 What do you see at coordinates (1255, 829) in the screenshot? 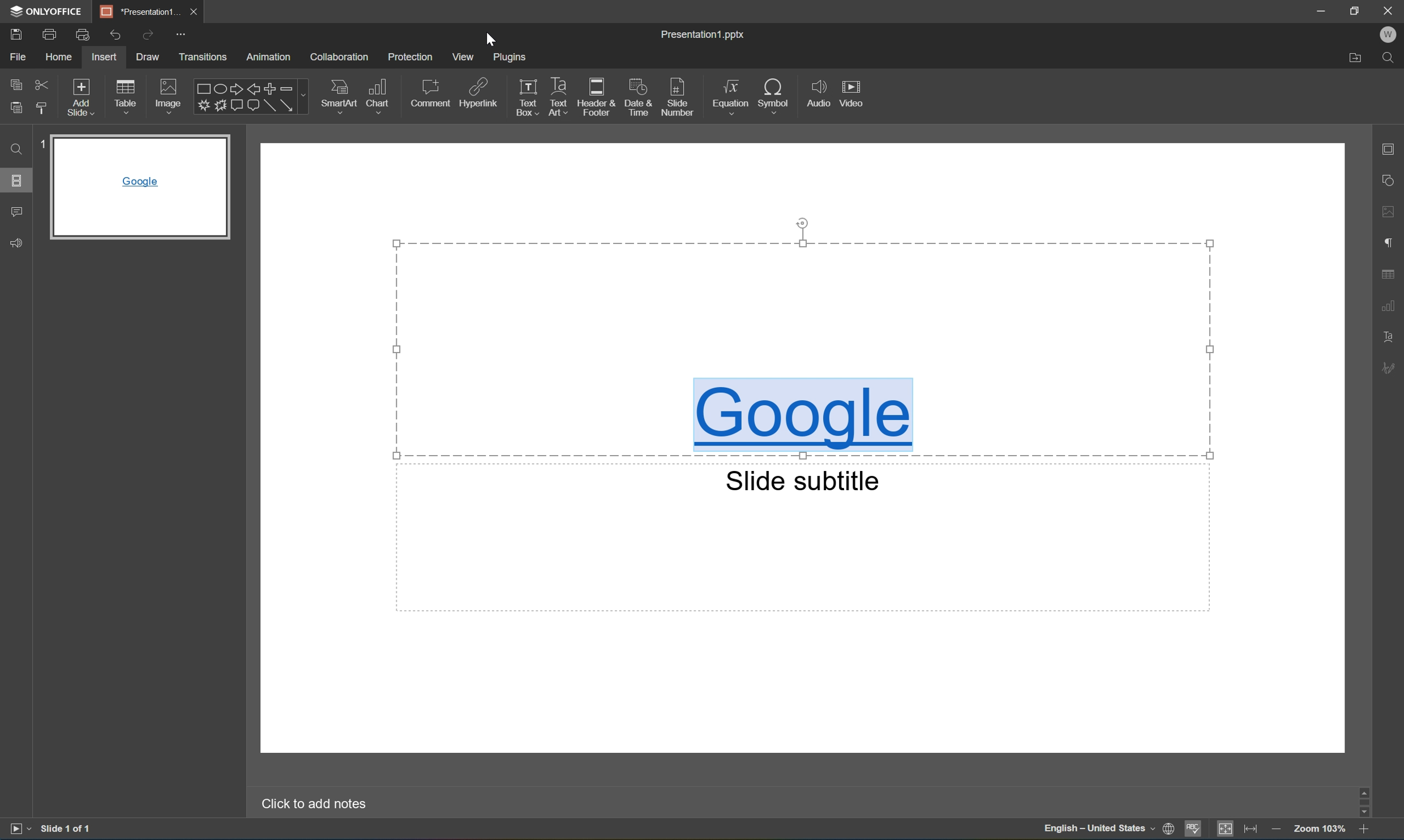
I see `Fit to width` at bounding box center [1255, 829].